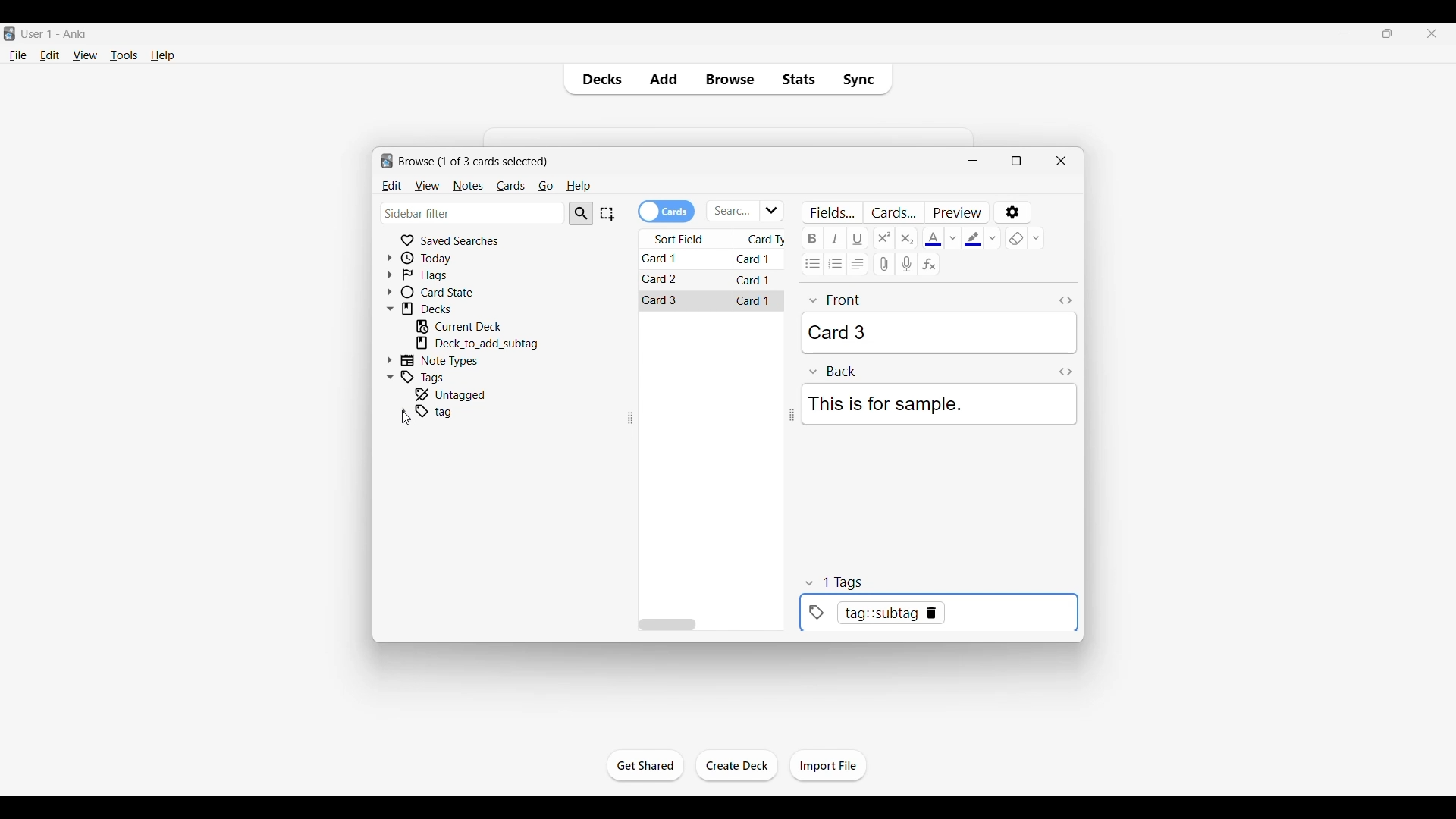 This screenshot has height=819, width=1456. What do you see at coordinates (755, 259) in the screenshot?
I see `Card 1` at bounding box center [755, 259].